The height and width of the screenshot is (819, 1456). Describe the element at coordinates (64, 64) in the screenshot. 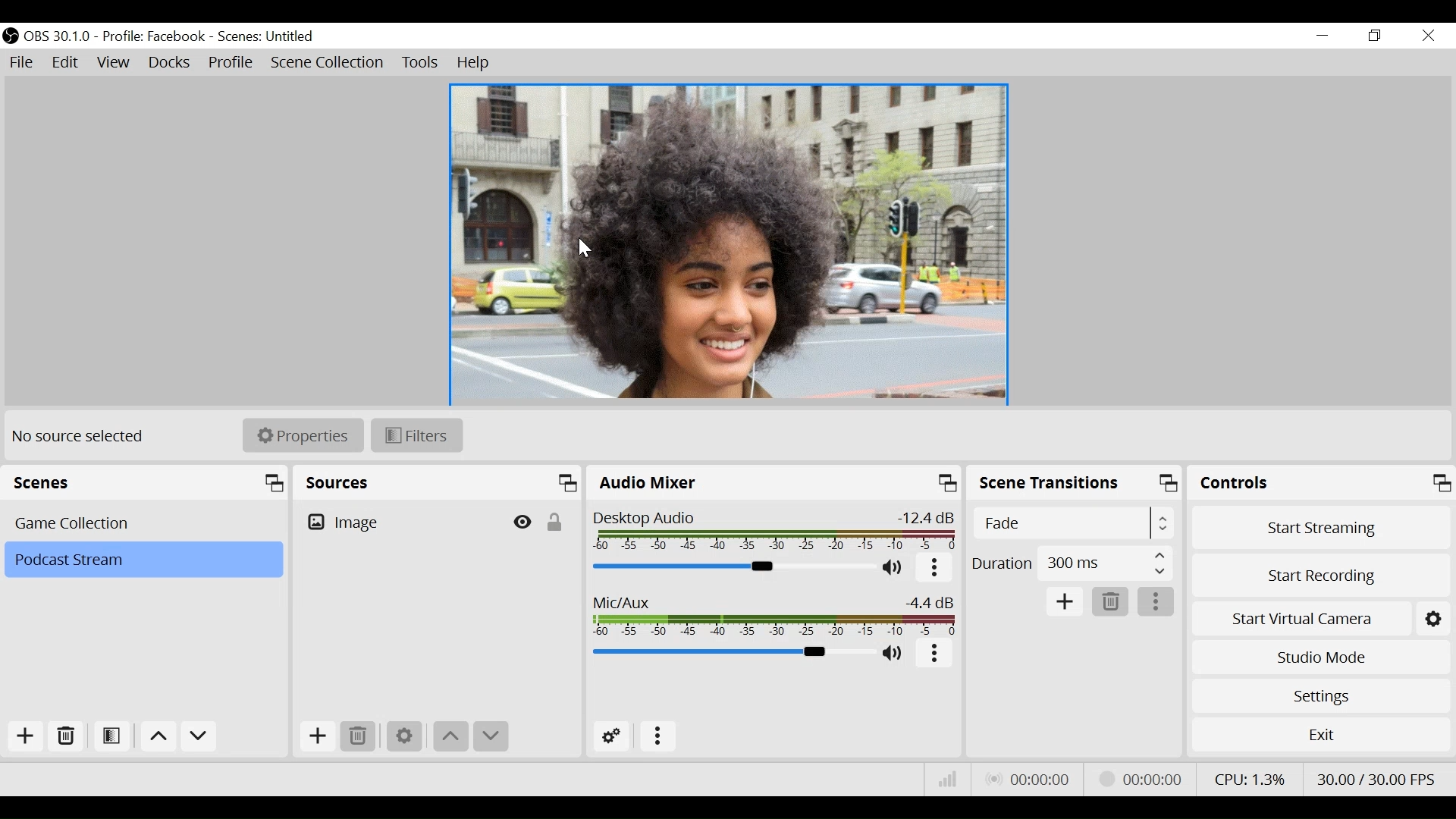

I see `Edit` at that location.